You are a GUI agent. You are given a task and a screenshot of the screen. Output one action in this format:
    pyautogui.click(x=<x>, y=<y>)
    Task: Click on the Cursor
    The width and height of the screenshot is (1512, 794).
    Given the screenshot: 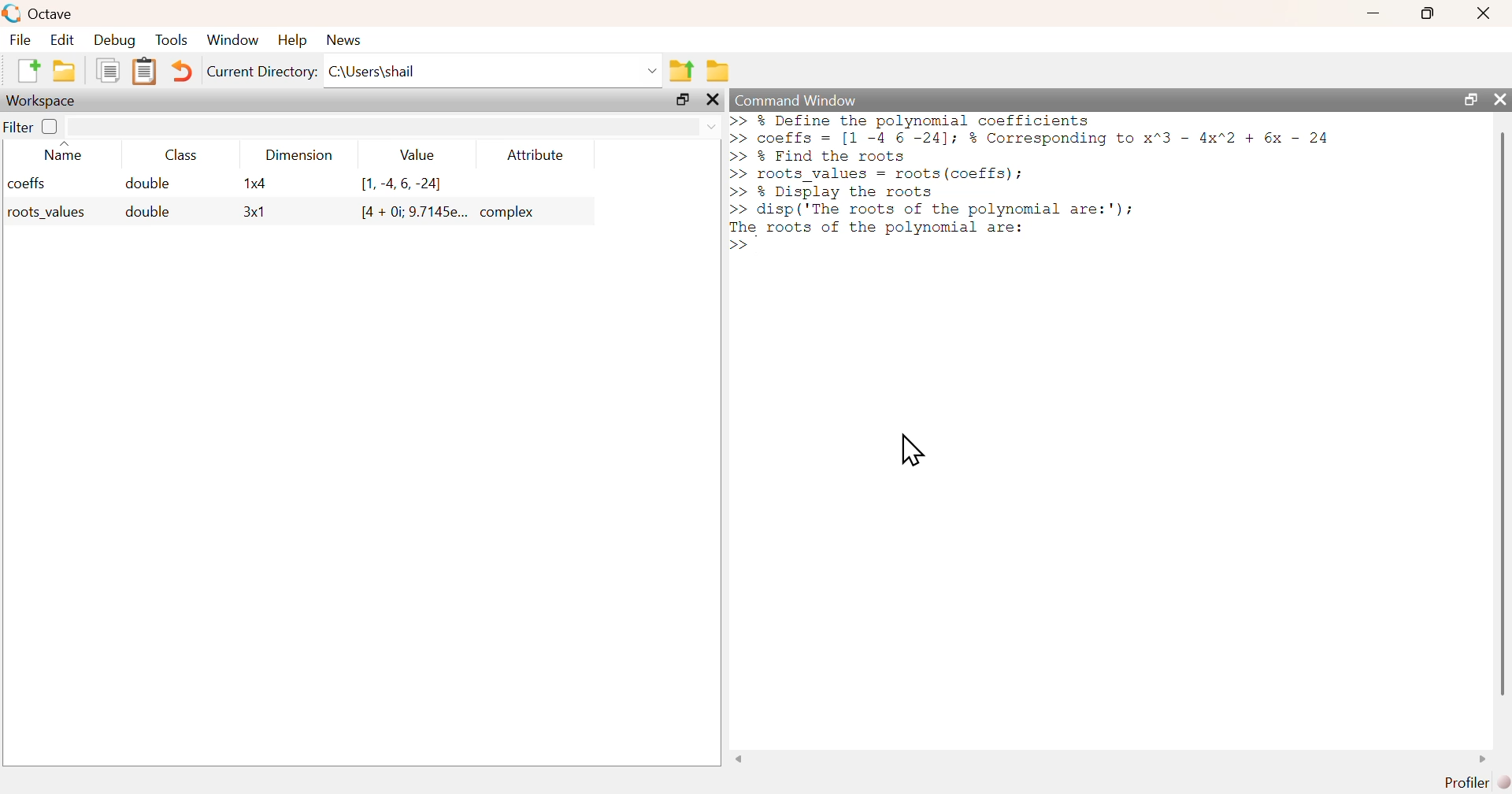 What is the action you would take?
    pyautogui.click(x=911, y=450)
    